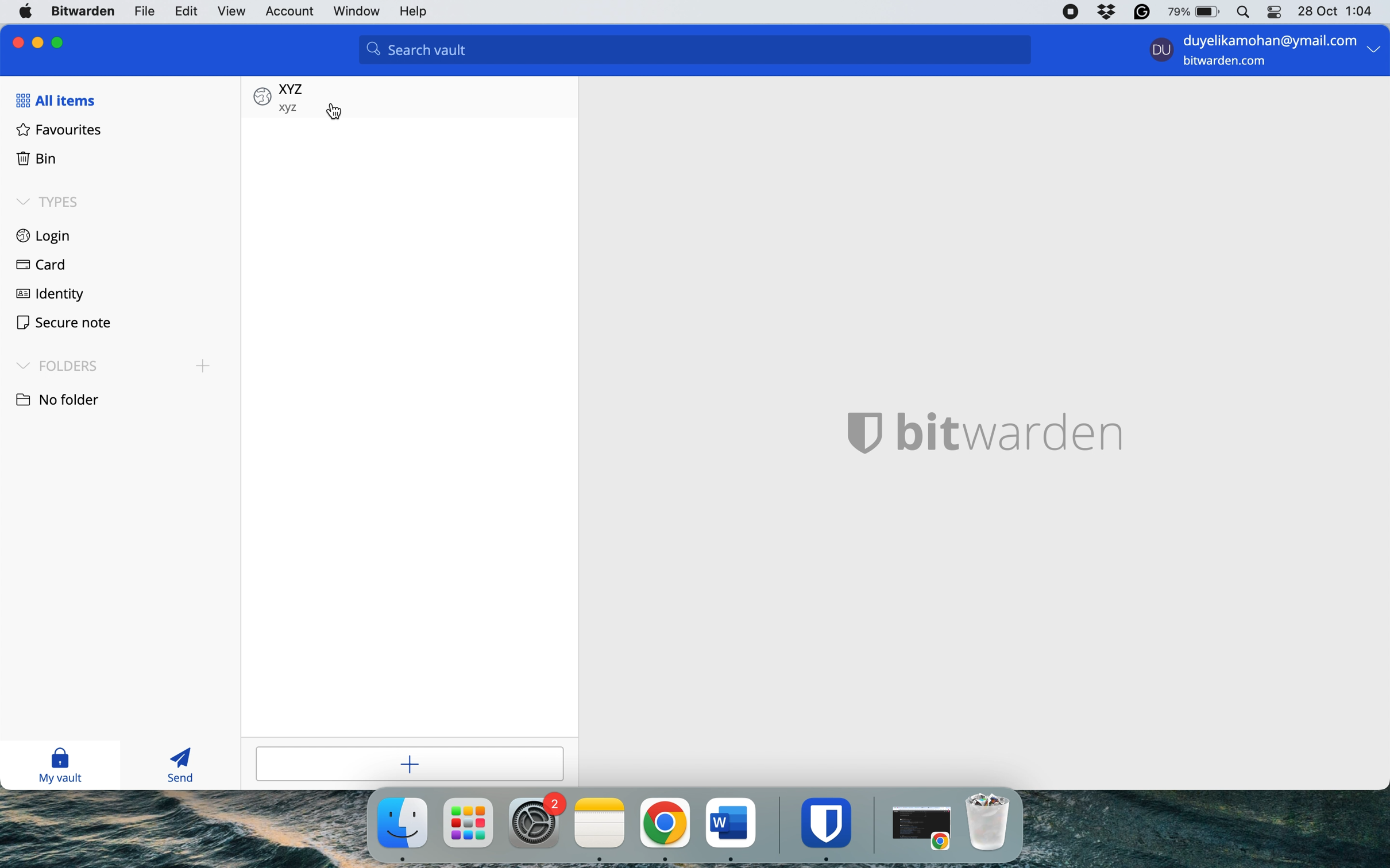  Describe the element at coordinates (1338, 10) in the screenshot. I see `date and time` at that location.